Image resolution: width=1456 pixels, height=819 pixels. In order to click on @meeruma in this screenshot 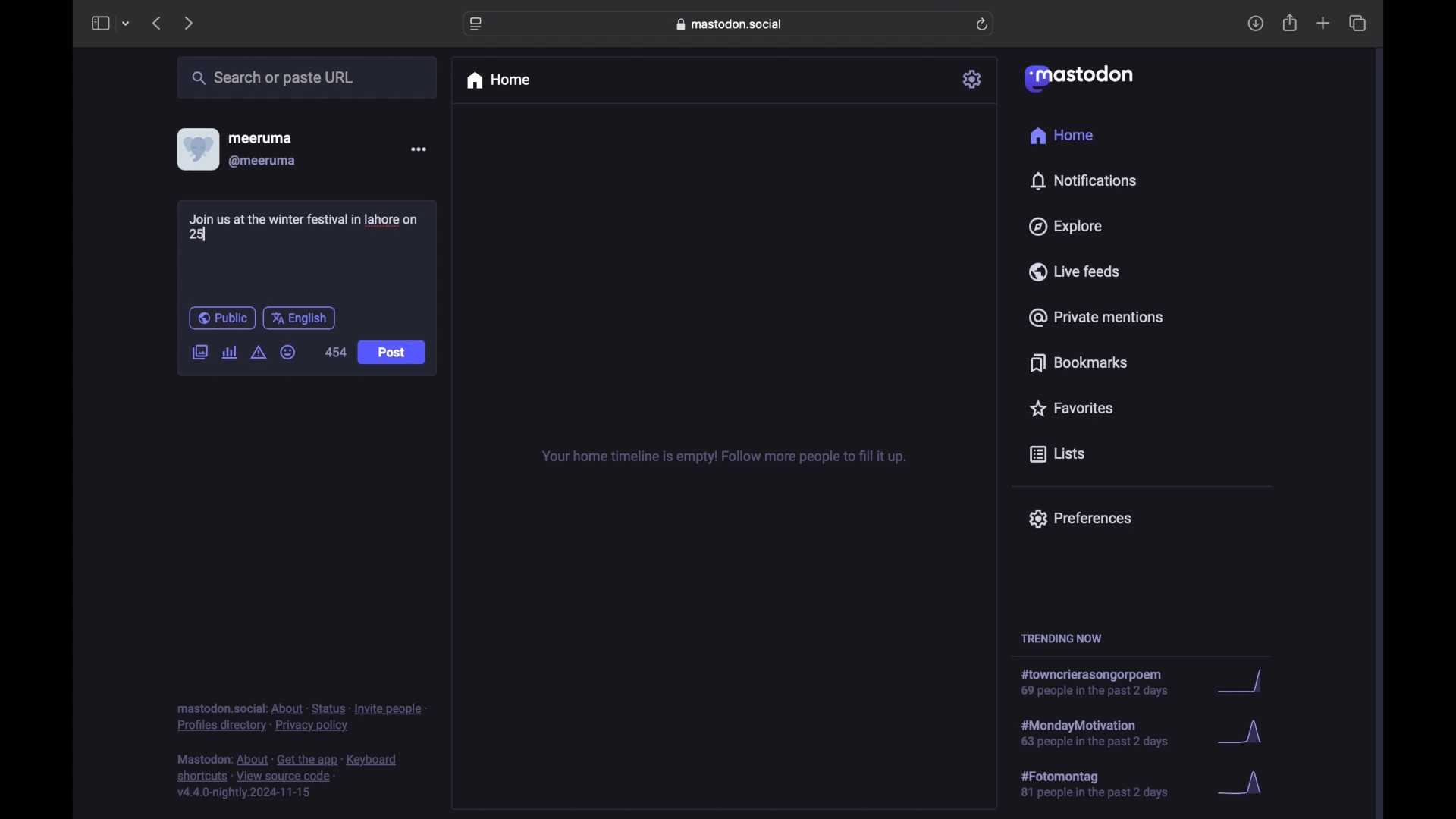, I will do `click(262, 162)`.